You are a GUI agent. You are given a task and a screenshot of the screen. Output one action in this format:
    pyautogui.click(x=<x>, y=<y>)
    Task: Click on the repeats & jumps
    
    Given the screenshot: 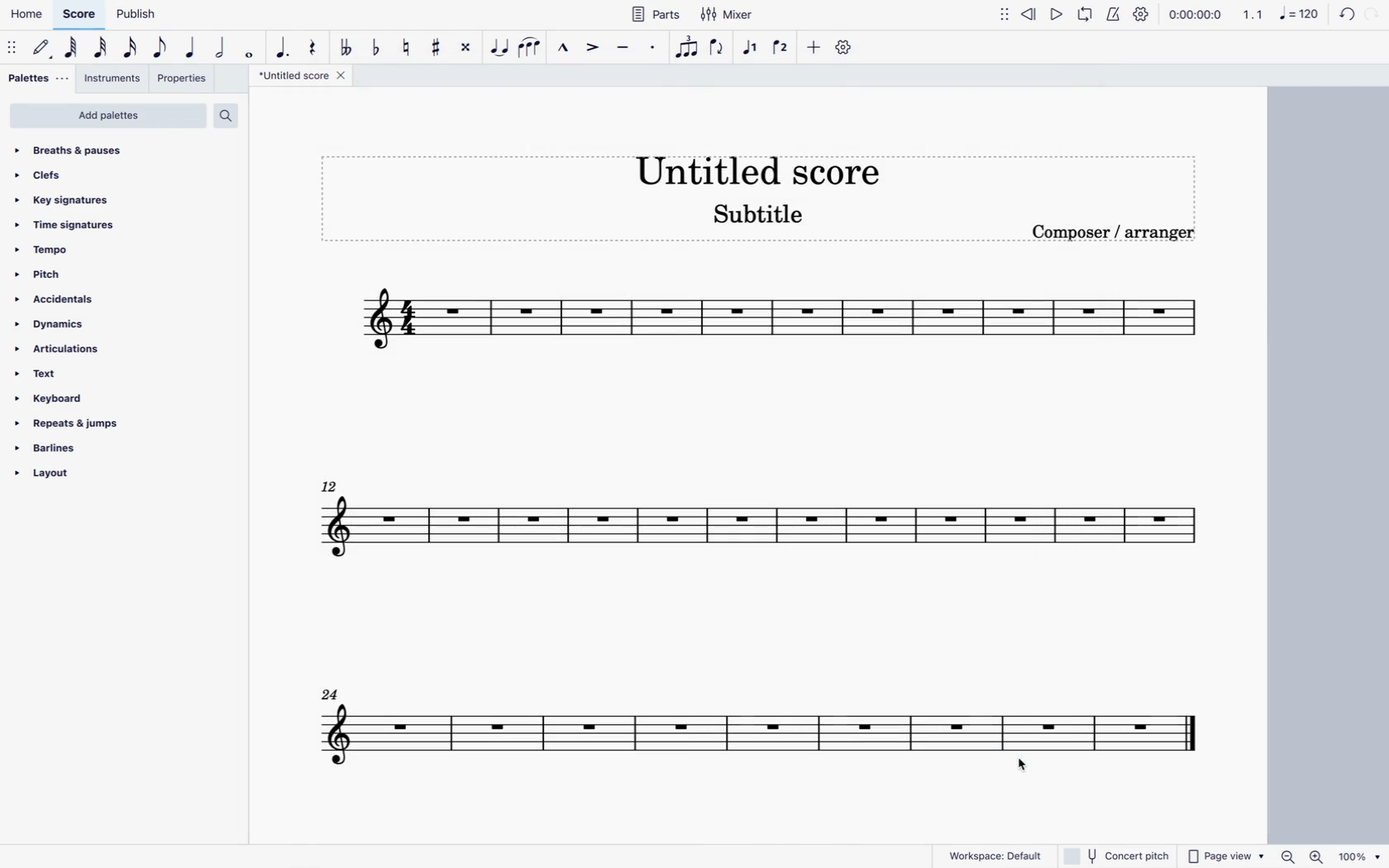 What is the action you would take?
    pyautogui.click(x=74, y=423)
    